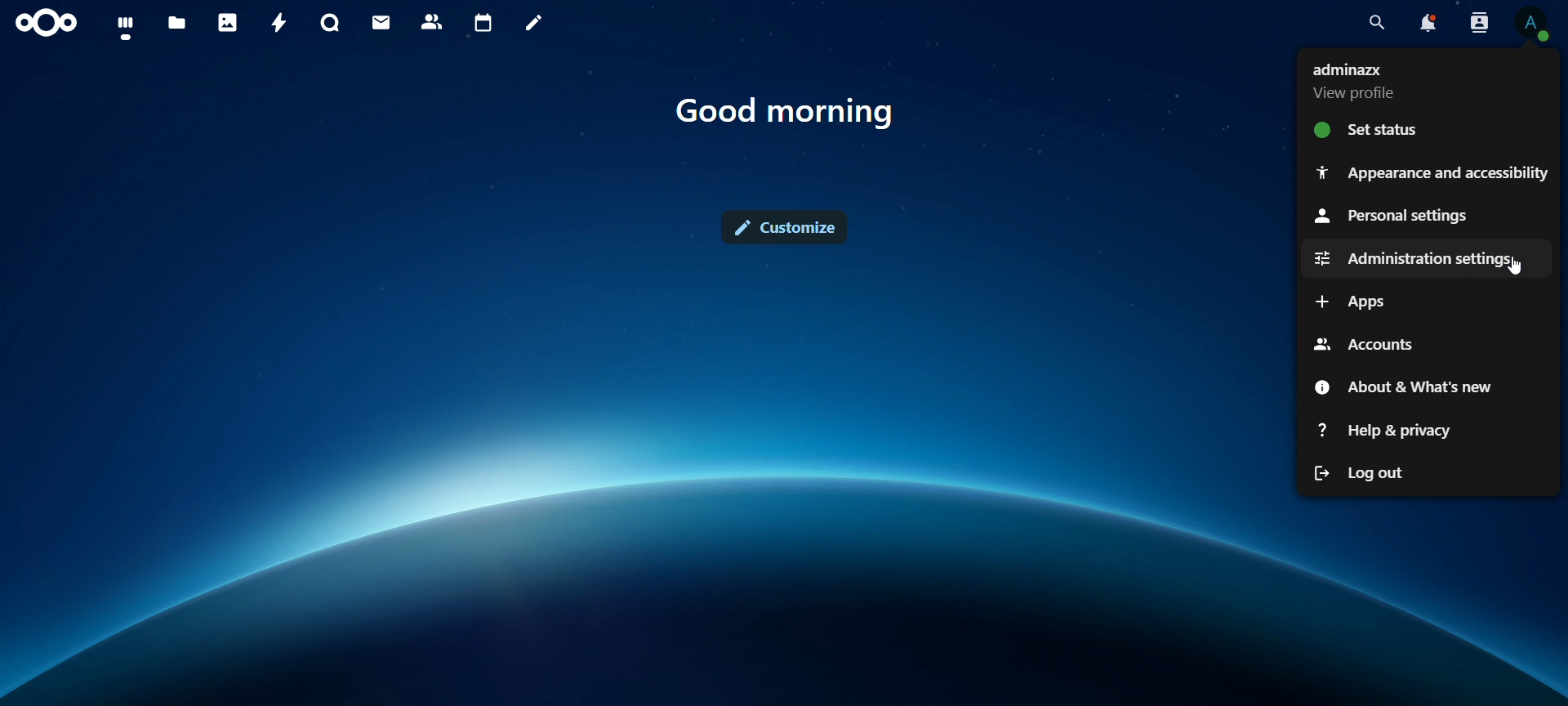 This screenshot has width=1568, height=706. What do you see at coordinates (1372, 131) in the screenshot?
I see `set status` at bounding box center [1372, 131].